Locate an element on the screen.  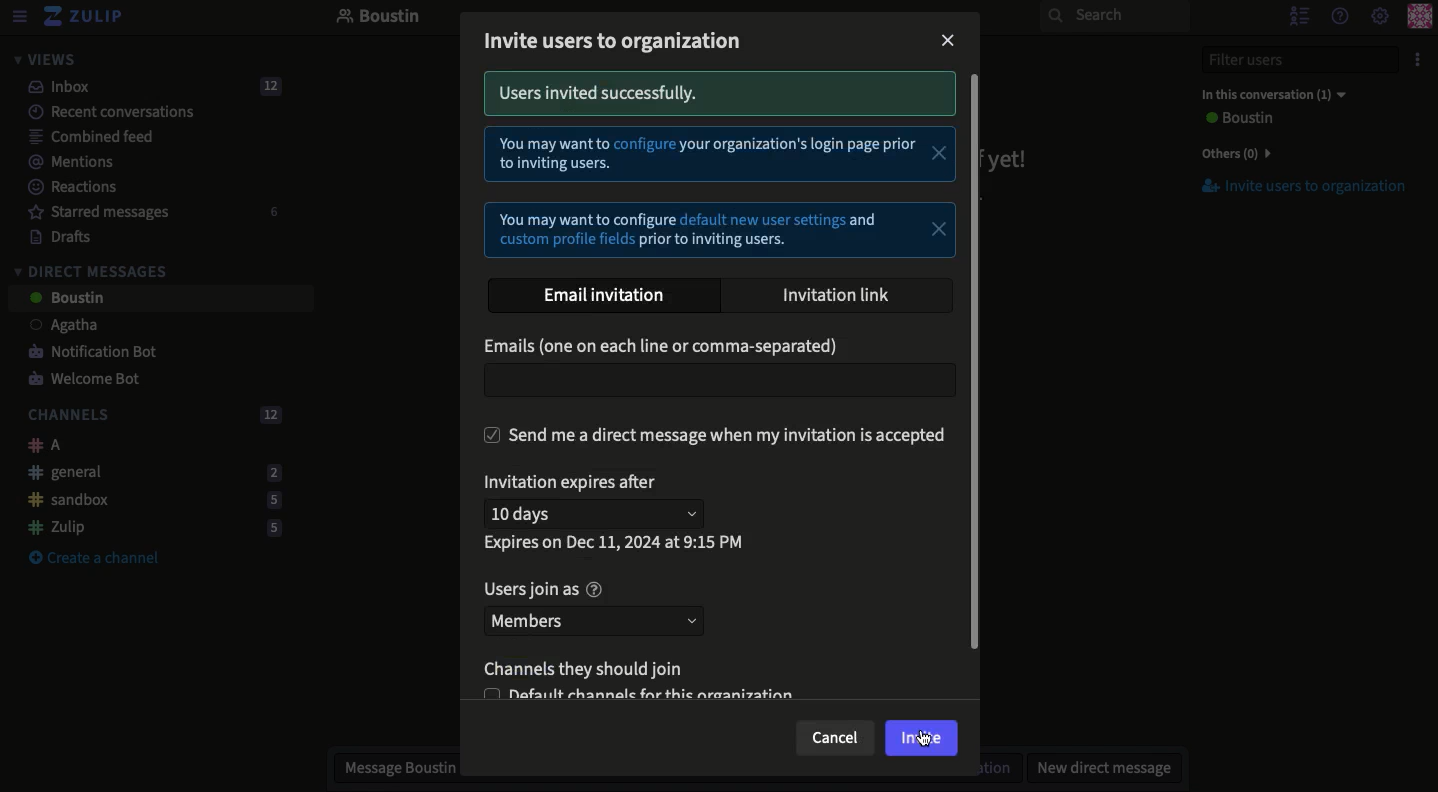
Profile is located at coordinates (1419, 18).